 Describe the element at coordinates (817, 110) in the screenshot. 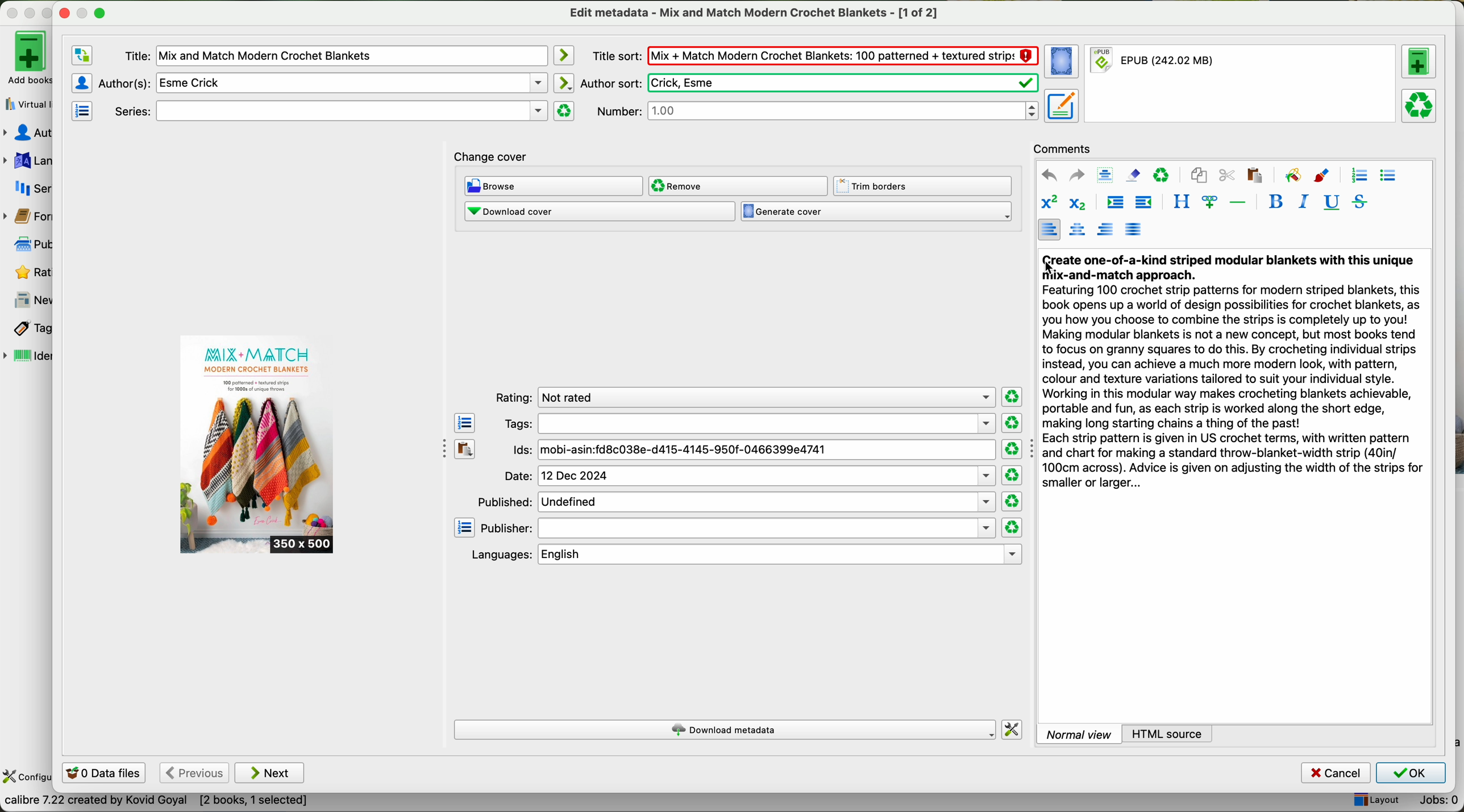

I see `number` at that location.